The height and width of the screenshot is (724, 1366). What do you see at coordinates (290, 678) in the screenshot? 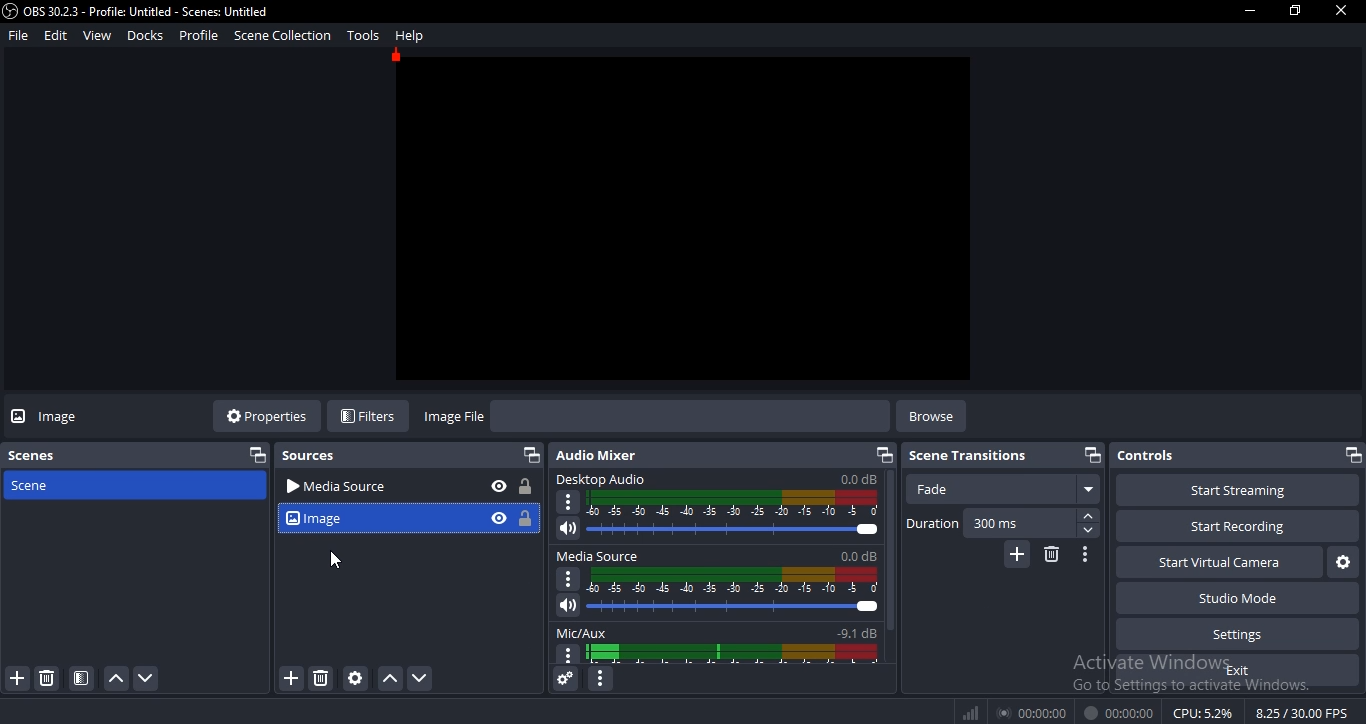
I see `add source` at bounding box center [290, 678].